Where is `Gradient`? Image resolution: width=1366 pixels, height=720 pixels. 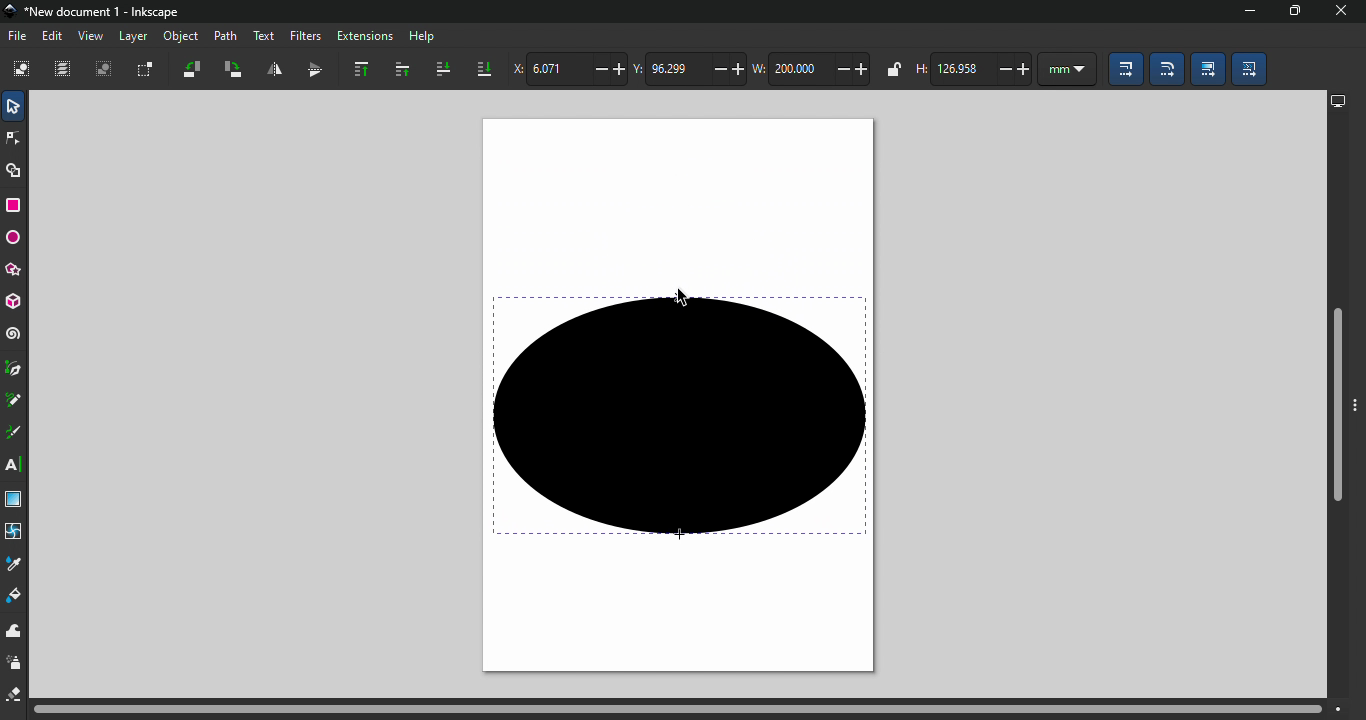
Gradient is located at coordinates (14, 499).